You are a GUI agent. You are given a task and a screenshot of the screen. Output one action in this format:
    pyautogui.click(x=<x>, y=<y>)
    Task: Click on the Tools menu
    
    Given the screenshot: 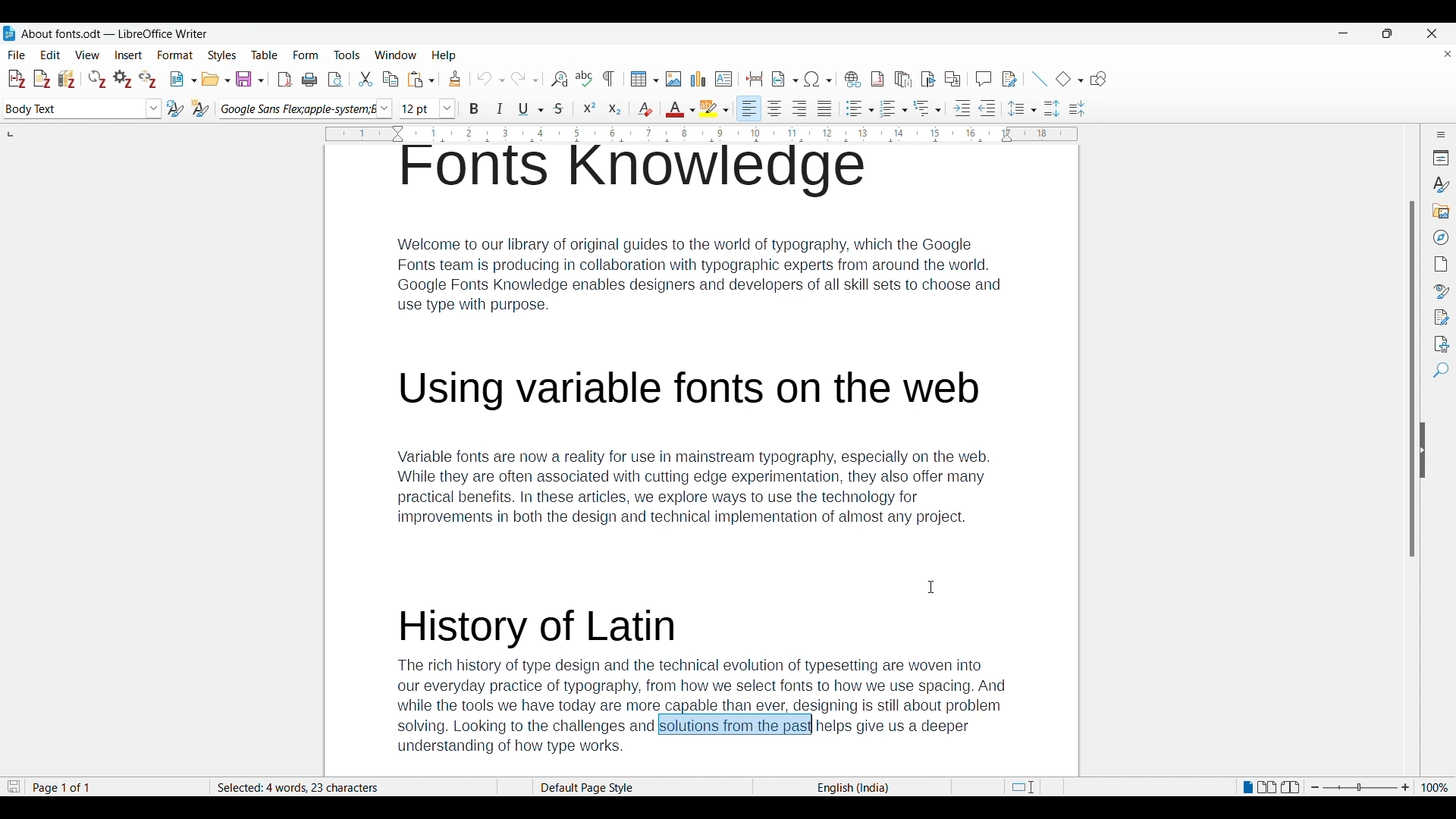 What is the action you would take?
    pyautogui.click(x=347, y=55)
    